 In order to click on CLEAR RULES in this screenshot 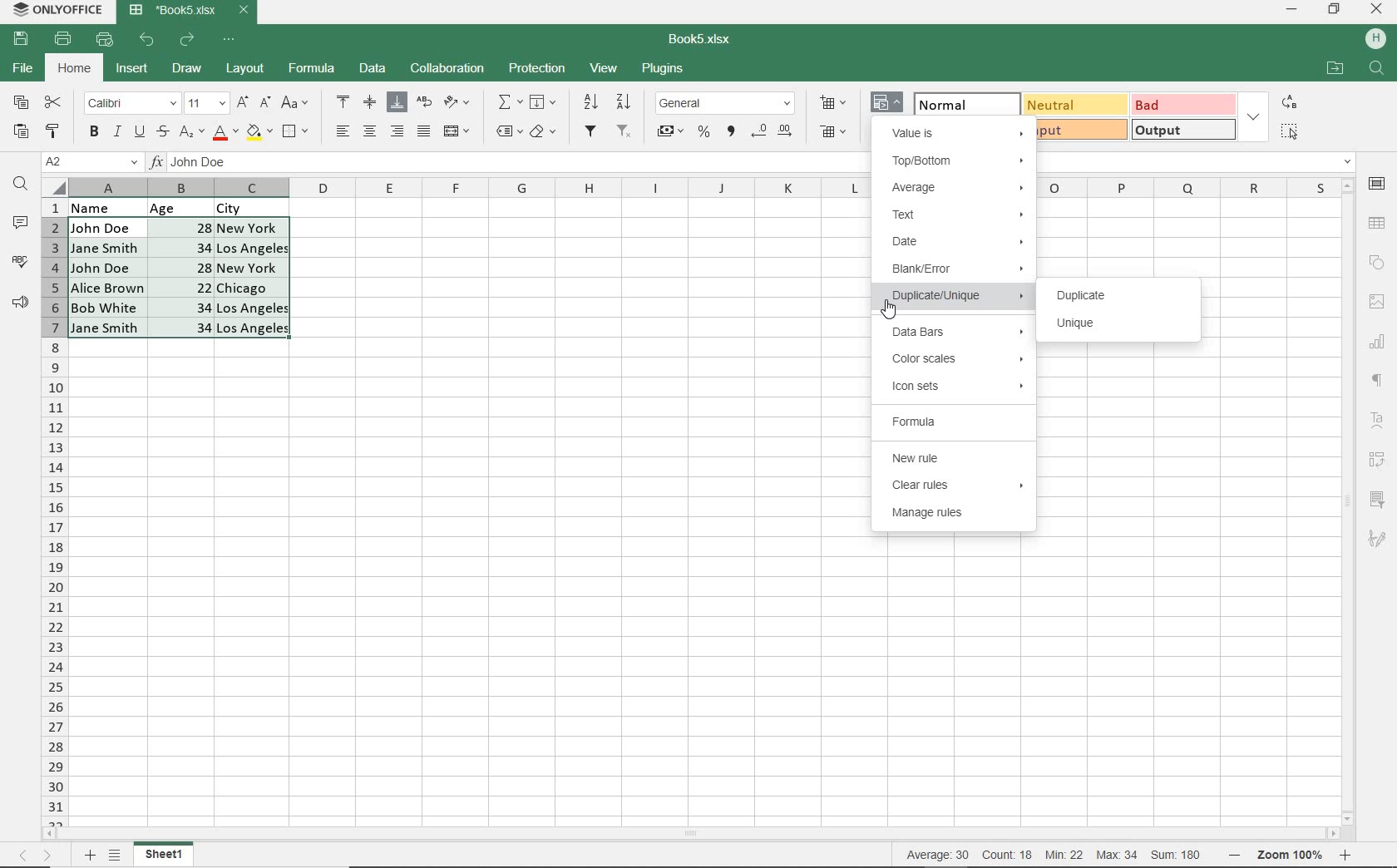, I will do `click(955, 486)`.